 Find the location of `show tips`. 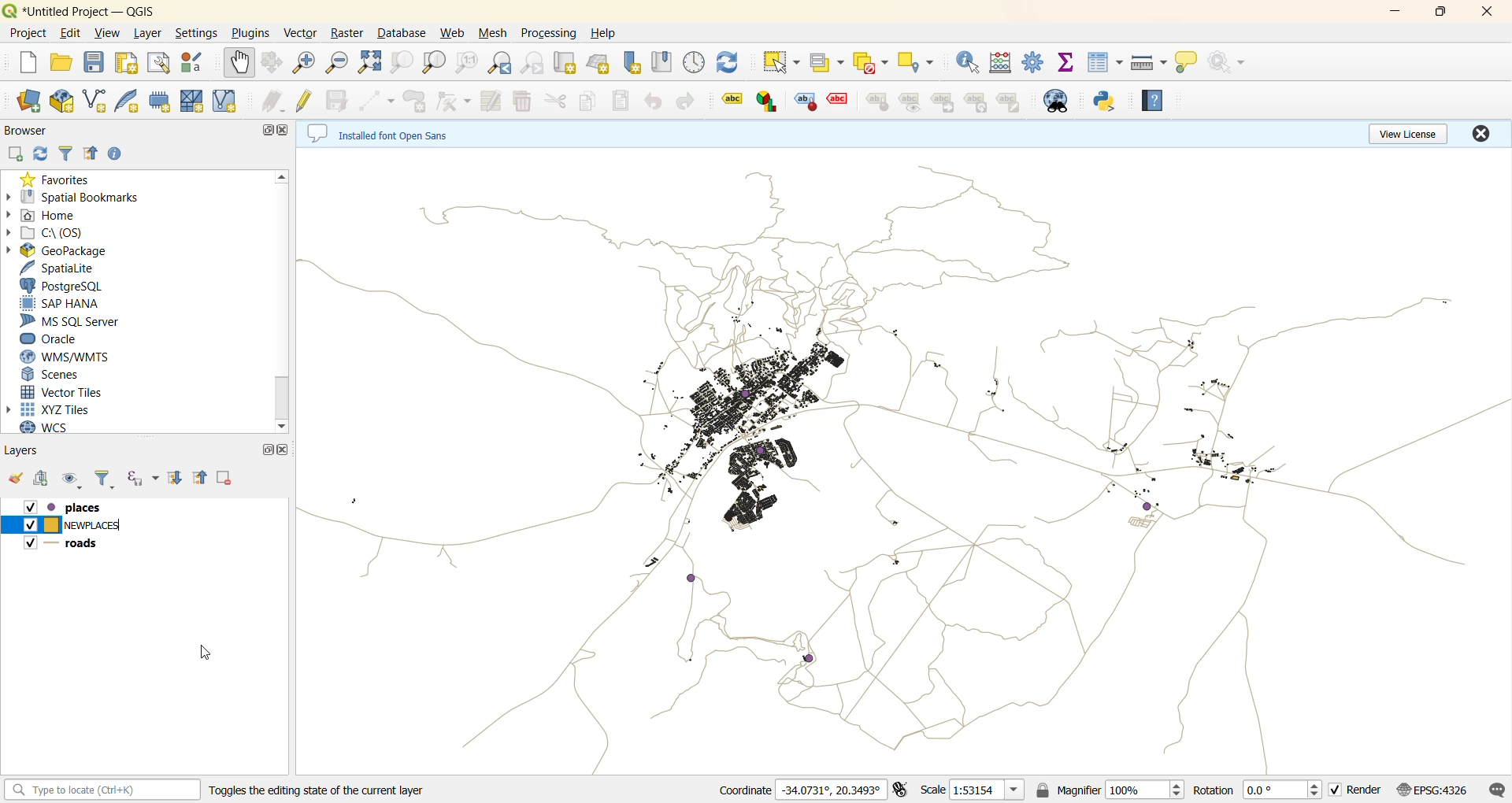

show tips is located at coordinates (1190, 63).